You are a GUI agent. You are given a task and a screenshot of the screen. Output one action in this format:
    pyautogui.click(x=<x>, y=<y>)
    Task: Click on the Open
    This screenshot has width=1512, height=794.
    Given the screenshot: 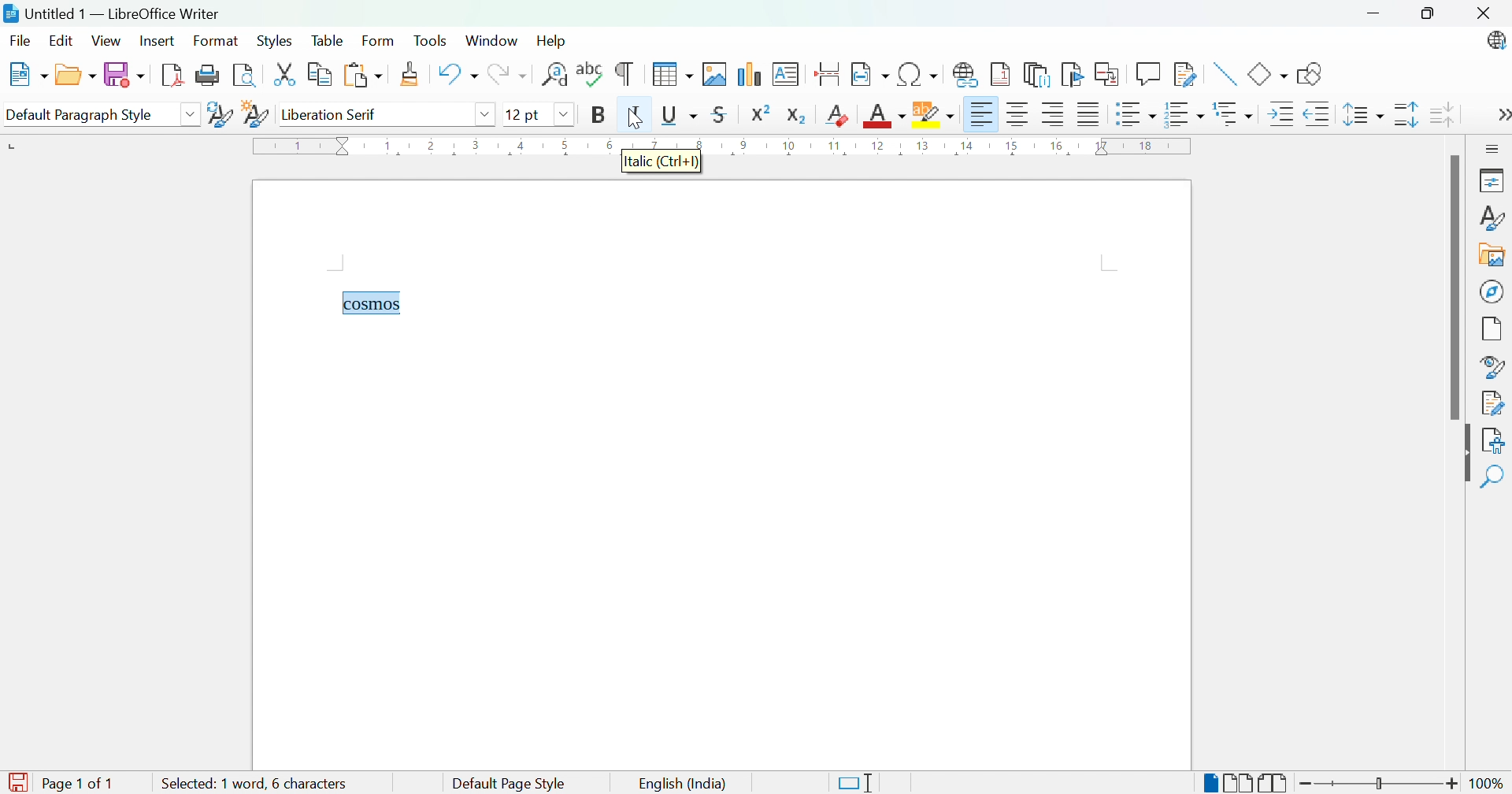 What is the action you would take?
    pyautogui.click(x=76, y=76)
    